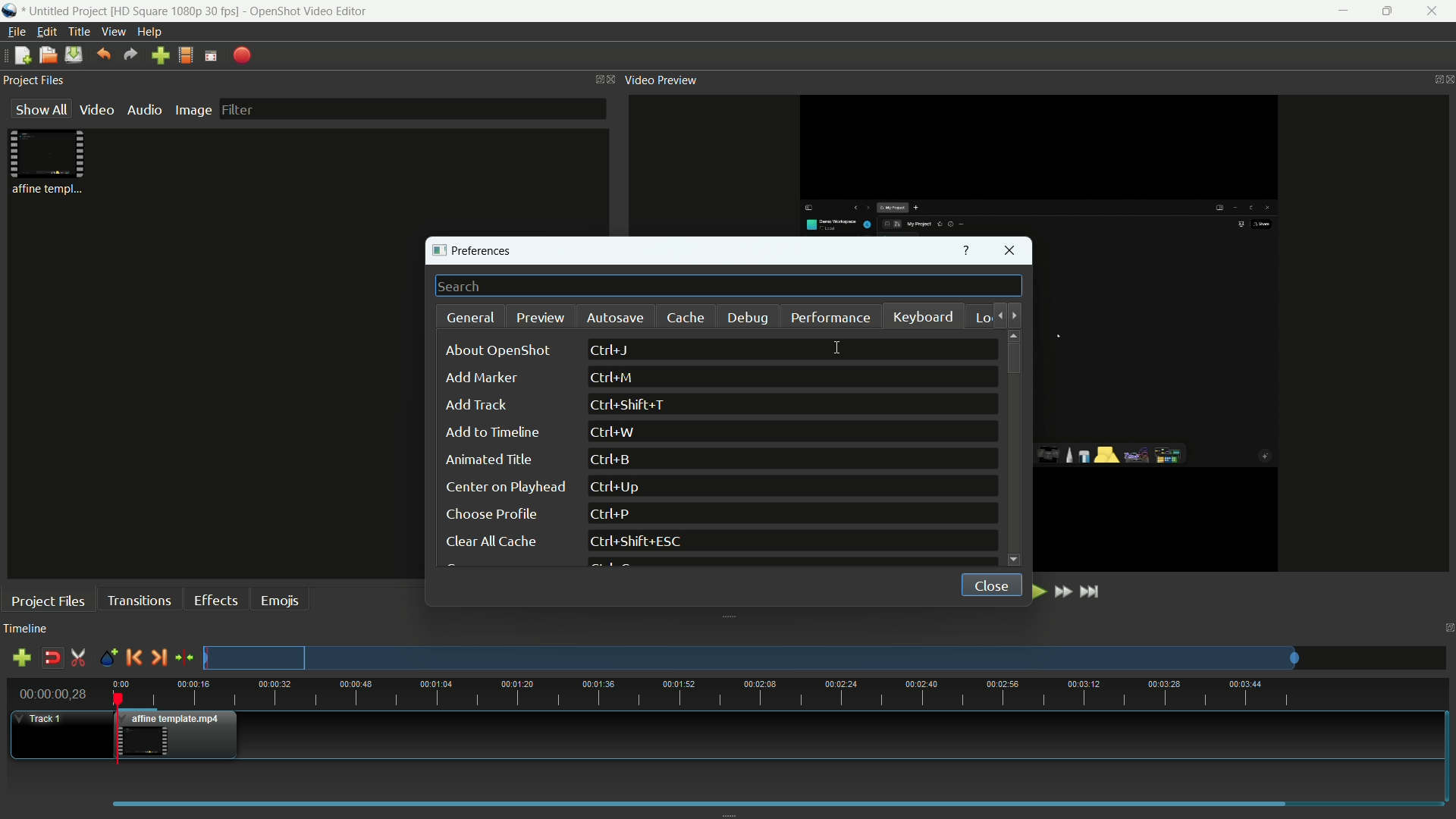 The image size is (1456, 819). I want to click on help menu, so click(152, 33).